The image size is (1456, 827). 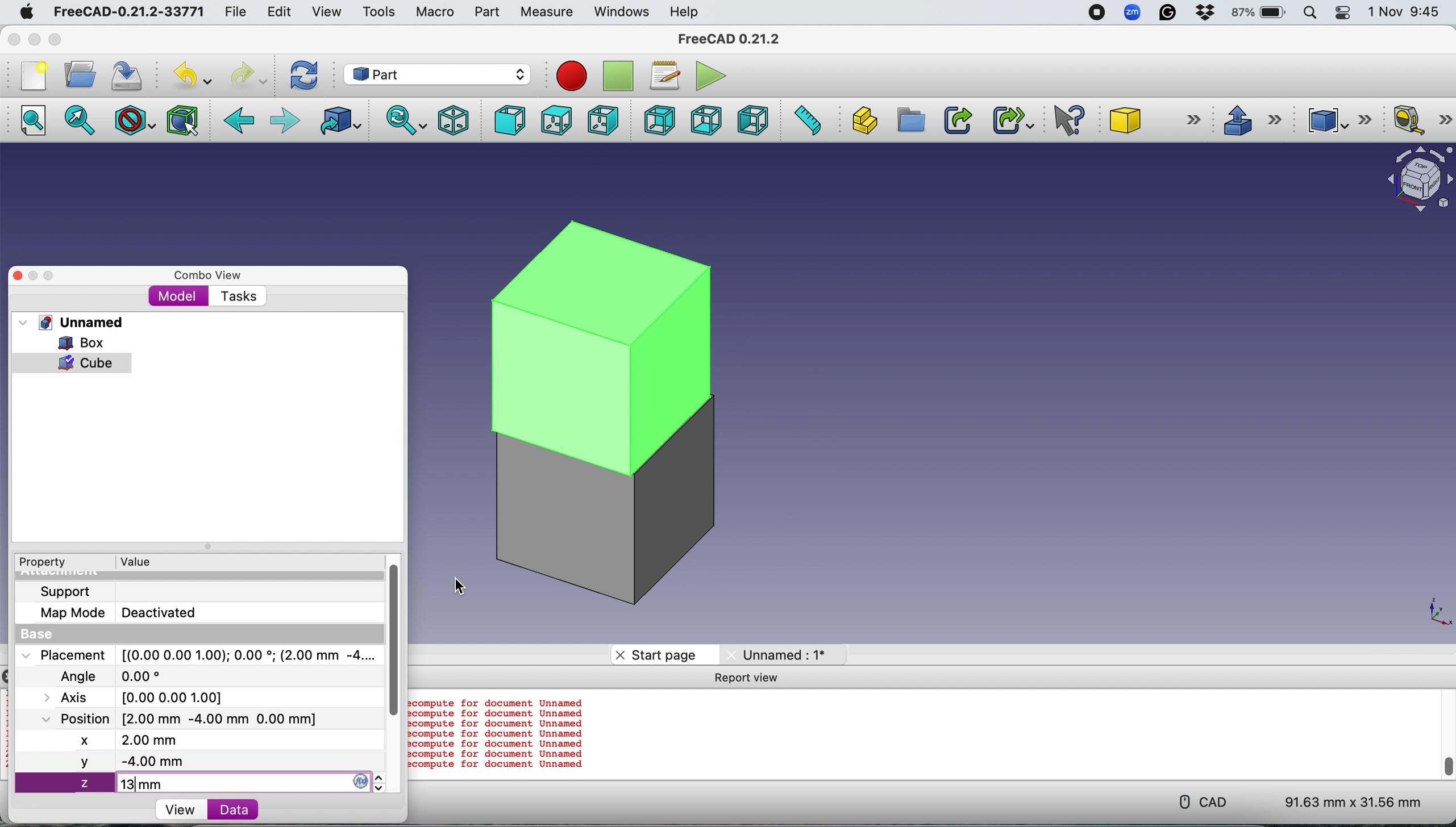 What do you see at coordinates (486, 12) in the screenshot?
I see `Part` at bounding box center [486, 12].